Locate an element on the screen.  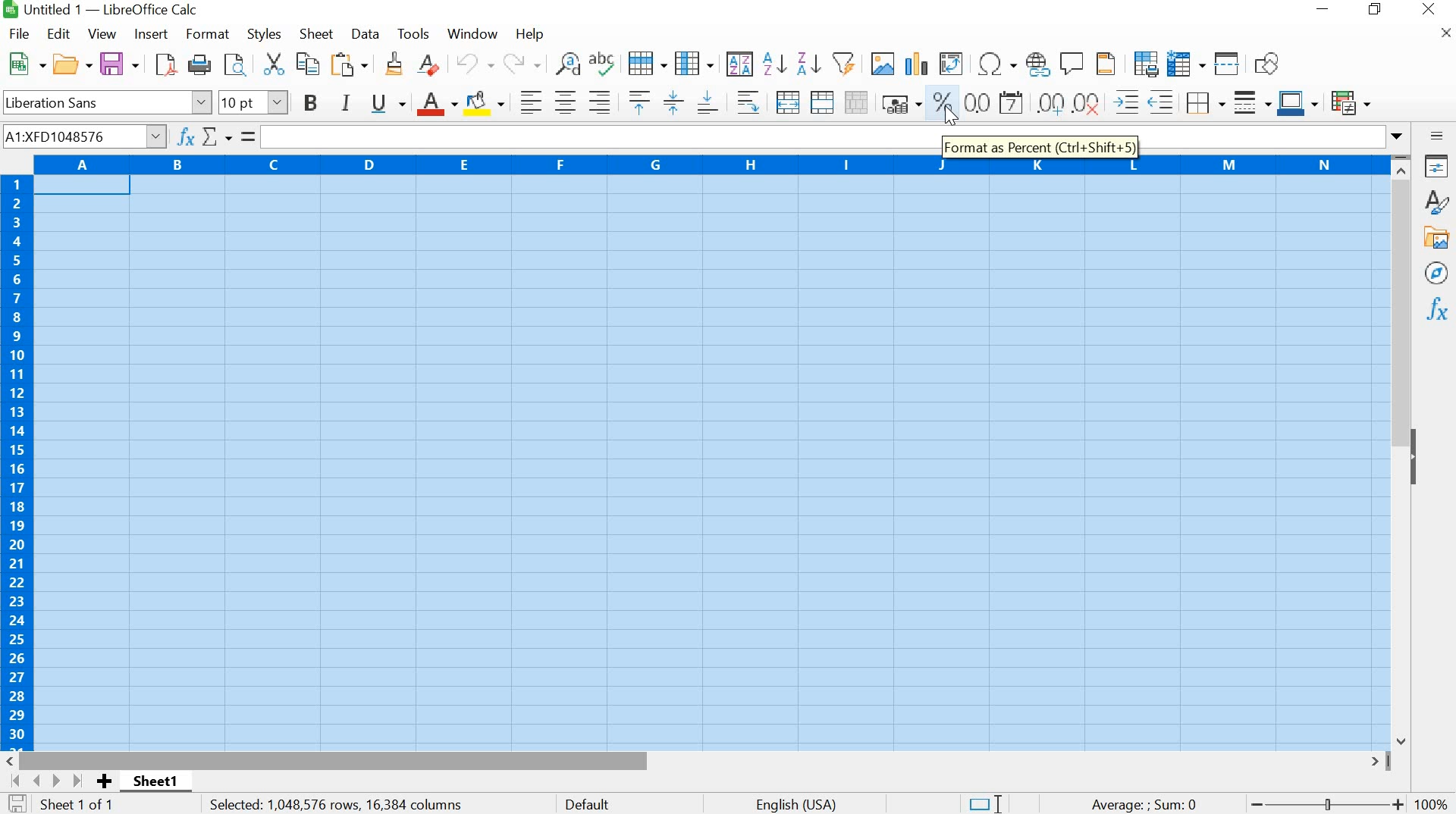
Print is located at coordinates (199, 64).